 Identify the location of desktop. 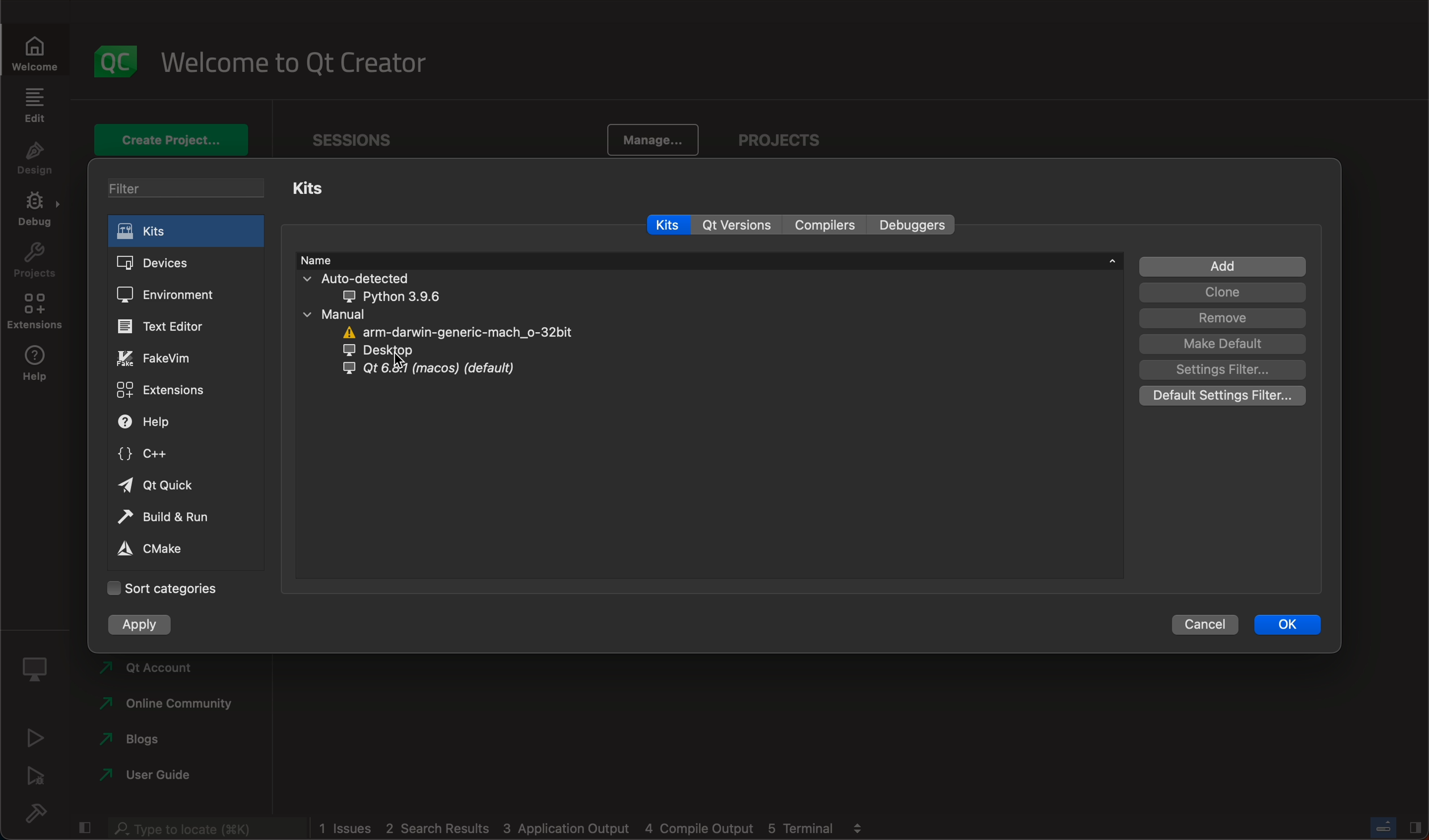
(390, 351).